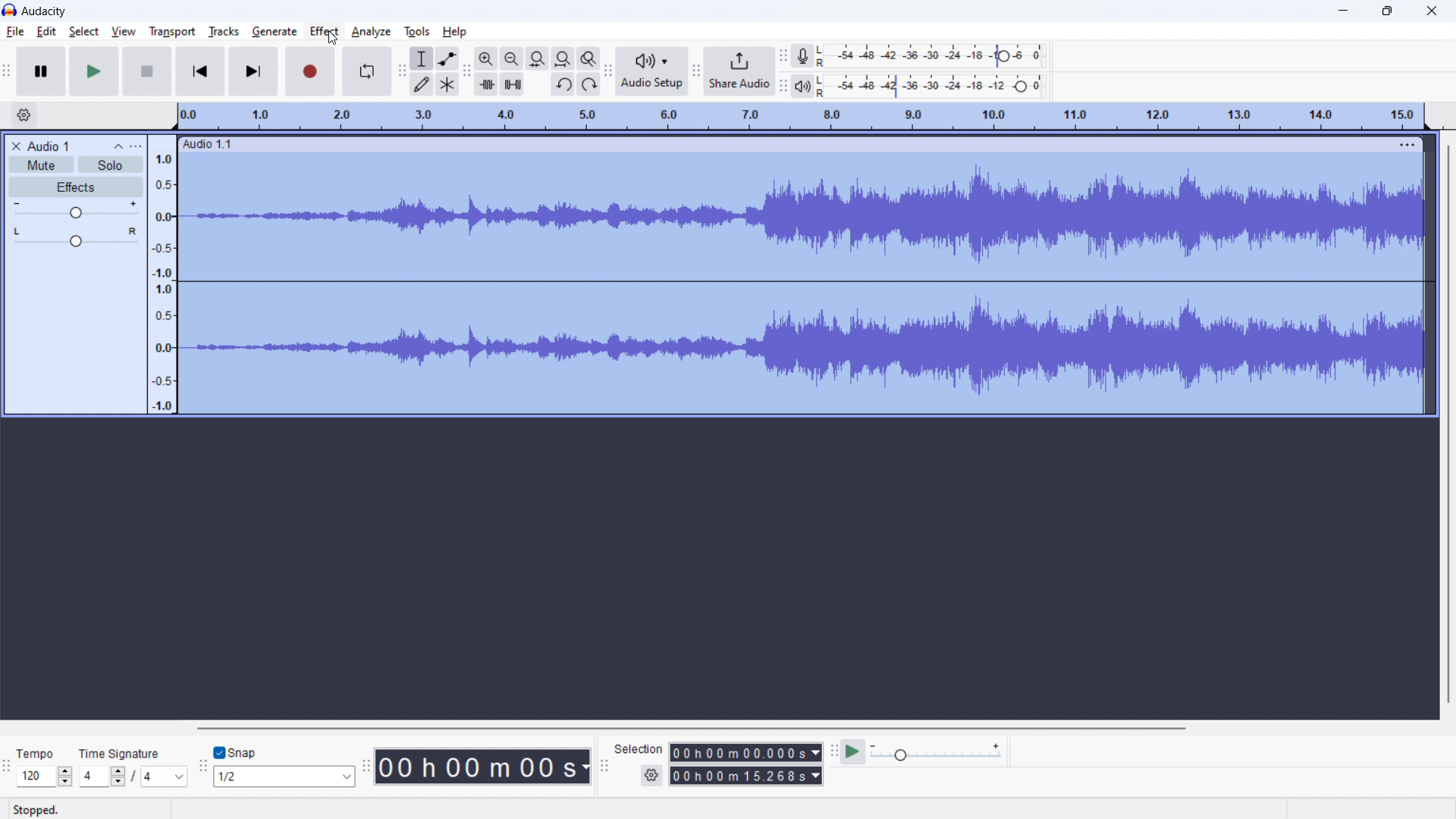  What do you see at coordinates (608, 72) in the screenshot?
I see `Audio setup toolbar` at bounding box center [608, 72].